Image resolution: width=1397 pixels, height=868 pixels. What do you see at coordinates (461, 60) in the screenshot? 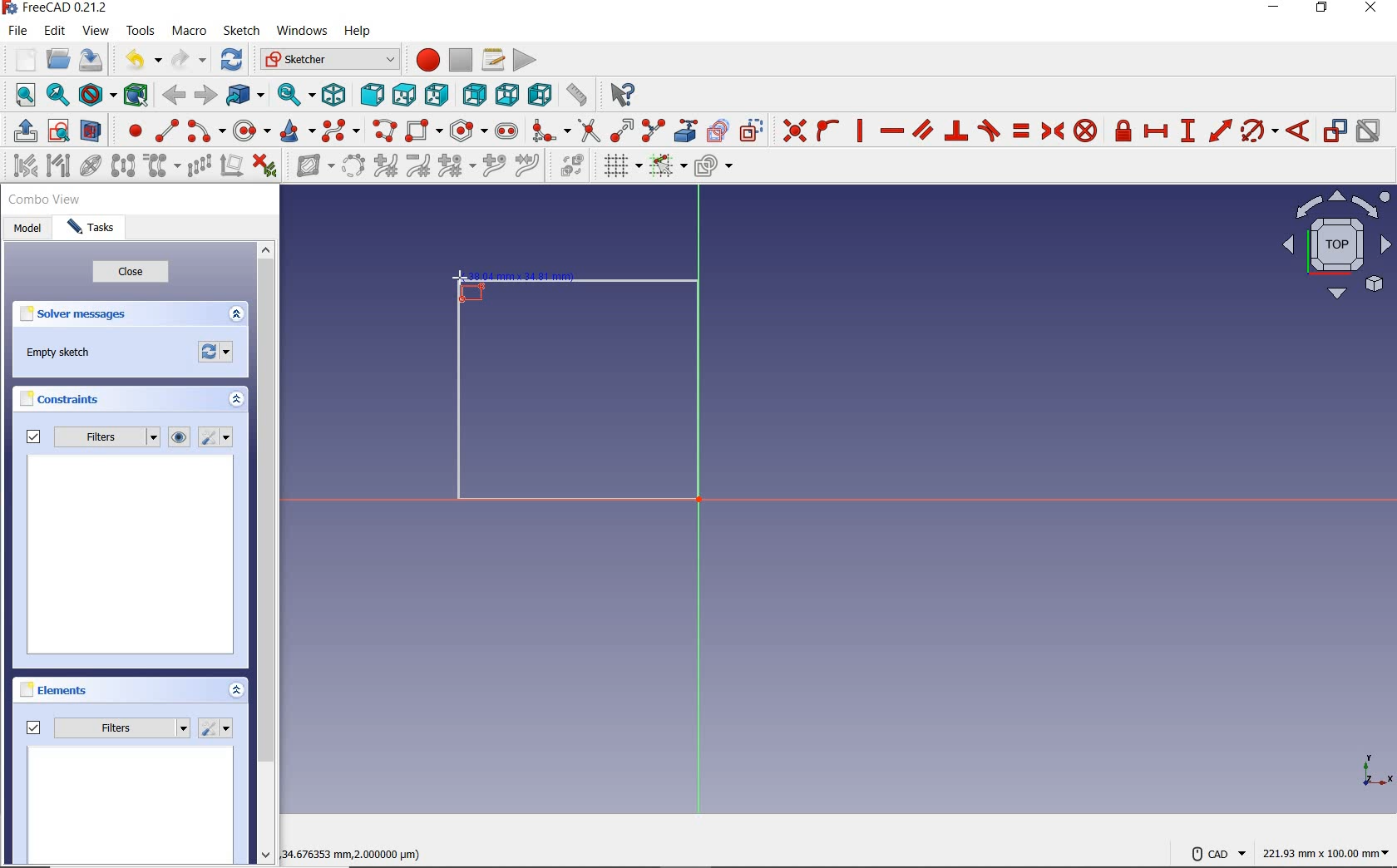
I see `stop macro recording` at bounding box center [461, 60].